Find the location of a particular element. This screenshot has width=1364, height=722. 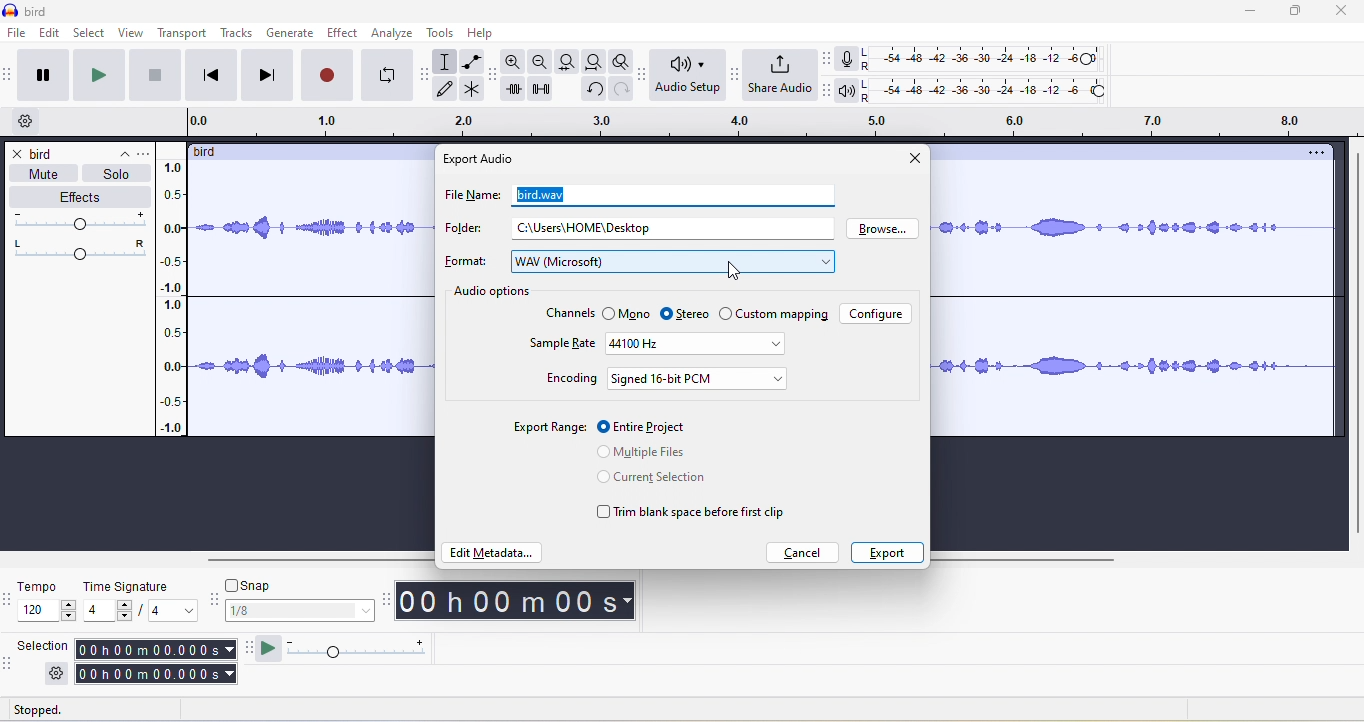

signed 16 bit pcm is located at coordinates (700, 378).